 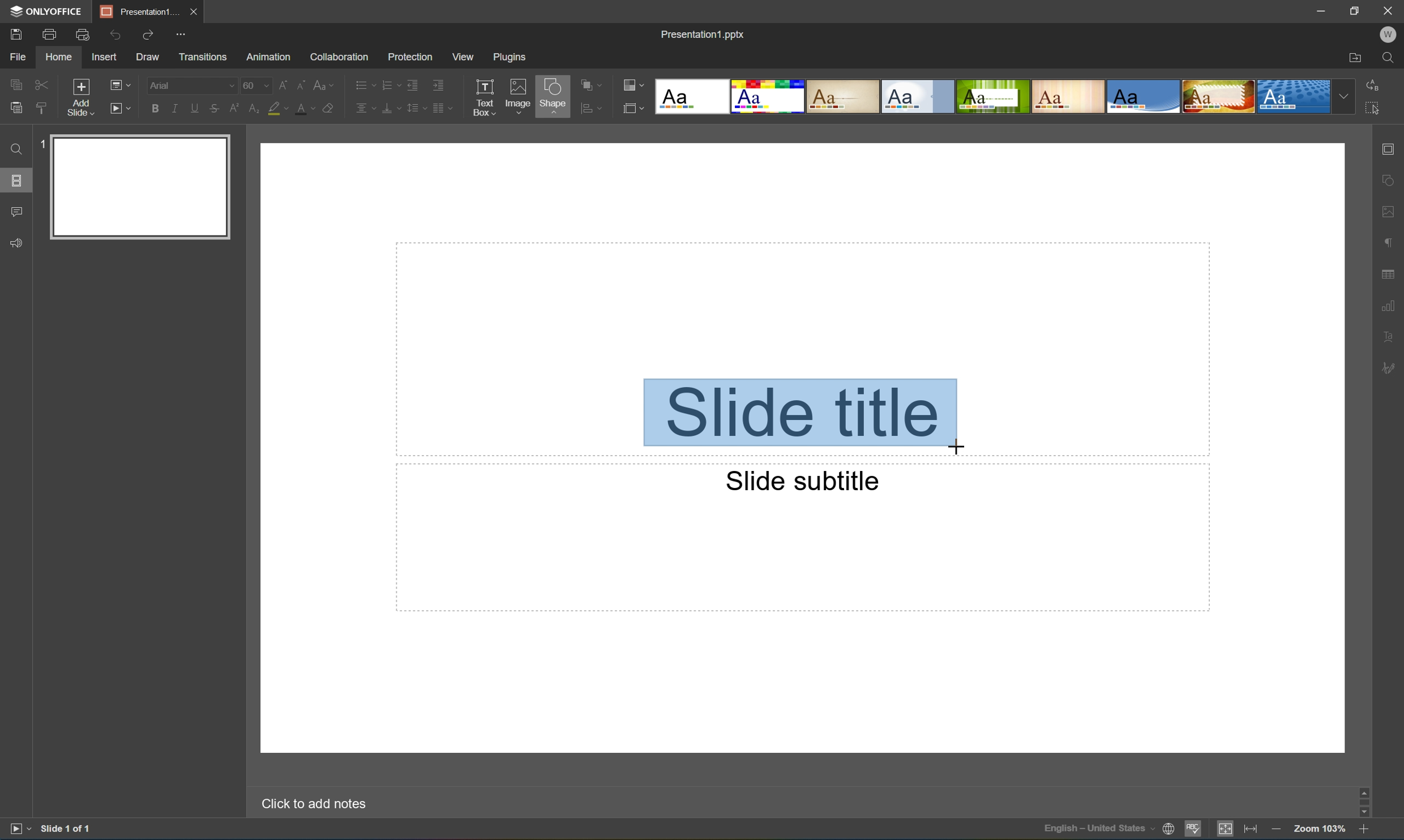 What do you see at coordinates (16, 179) in the screenshot?
I see `Slides` at bounding box center [16, 179].